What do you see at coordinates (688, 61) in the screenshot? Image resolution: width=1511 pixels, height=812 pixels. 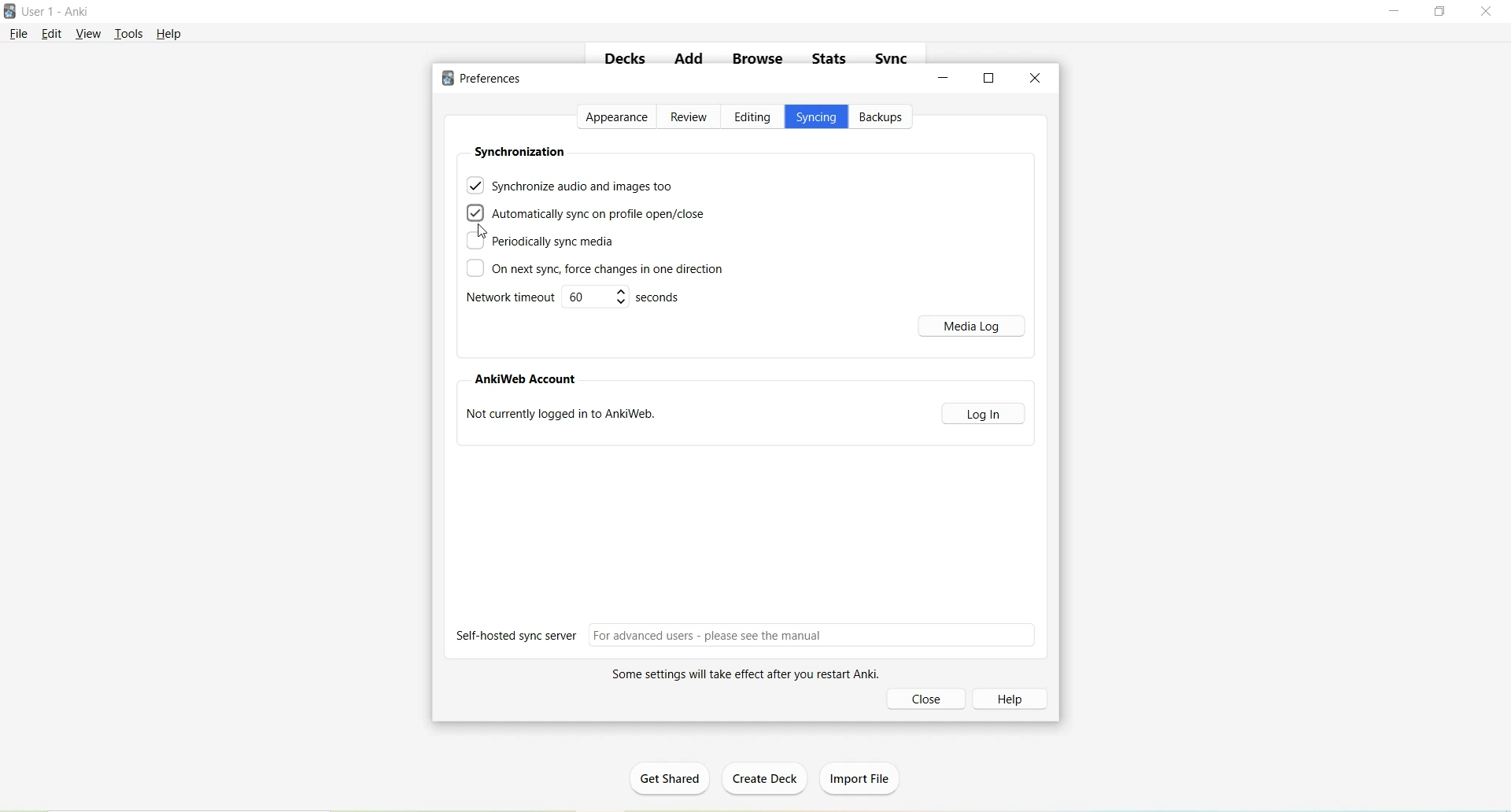 I see `Add` at bounding box center [688, 61].